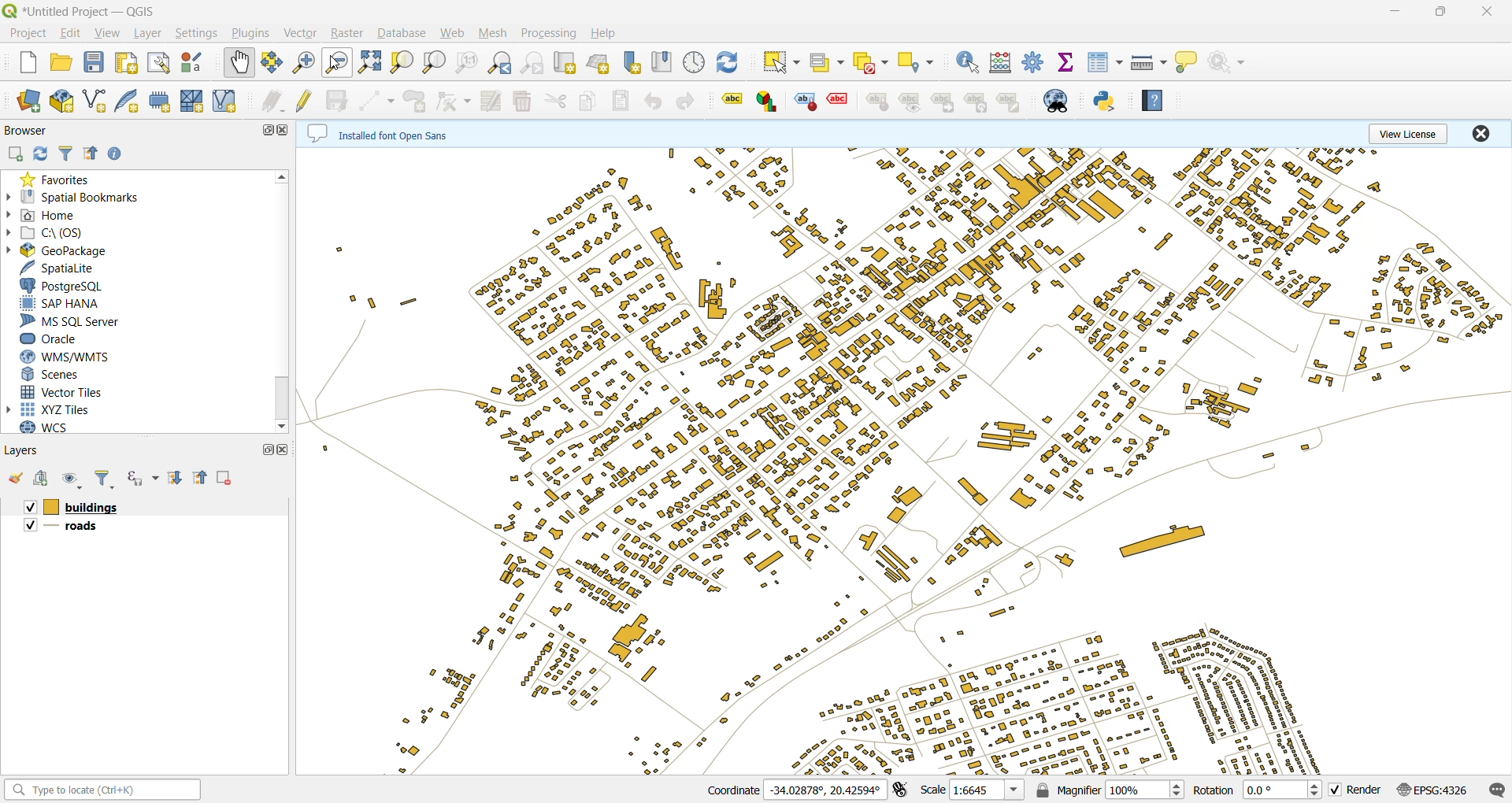  I want to click on metadata, so click(378, 132).